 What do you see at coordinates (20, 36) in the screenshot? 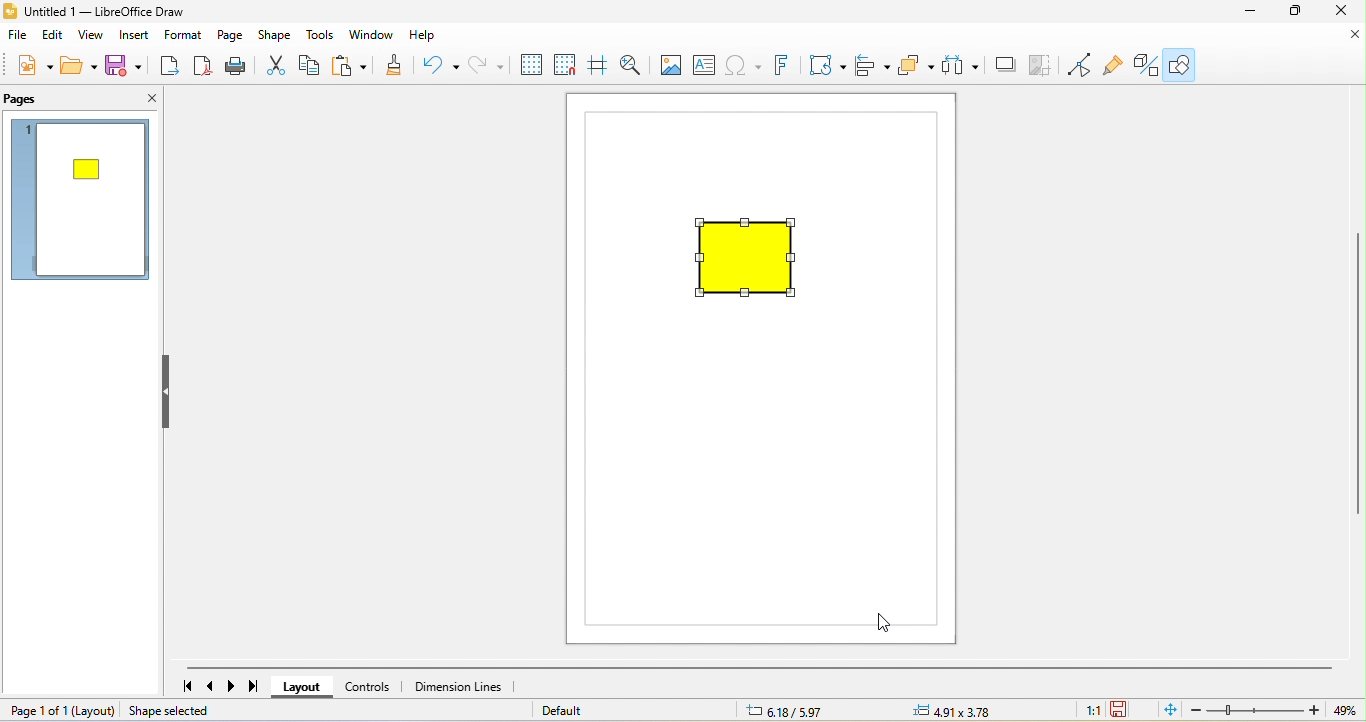
I see `file` at bounding box center [20, 36].